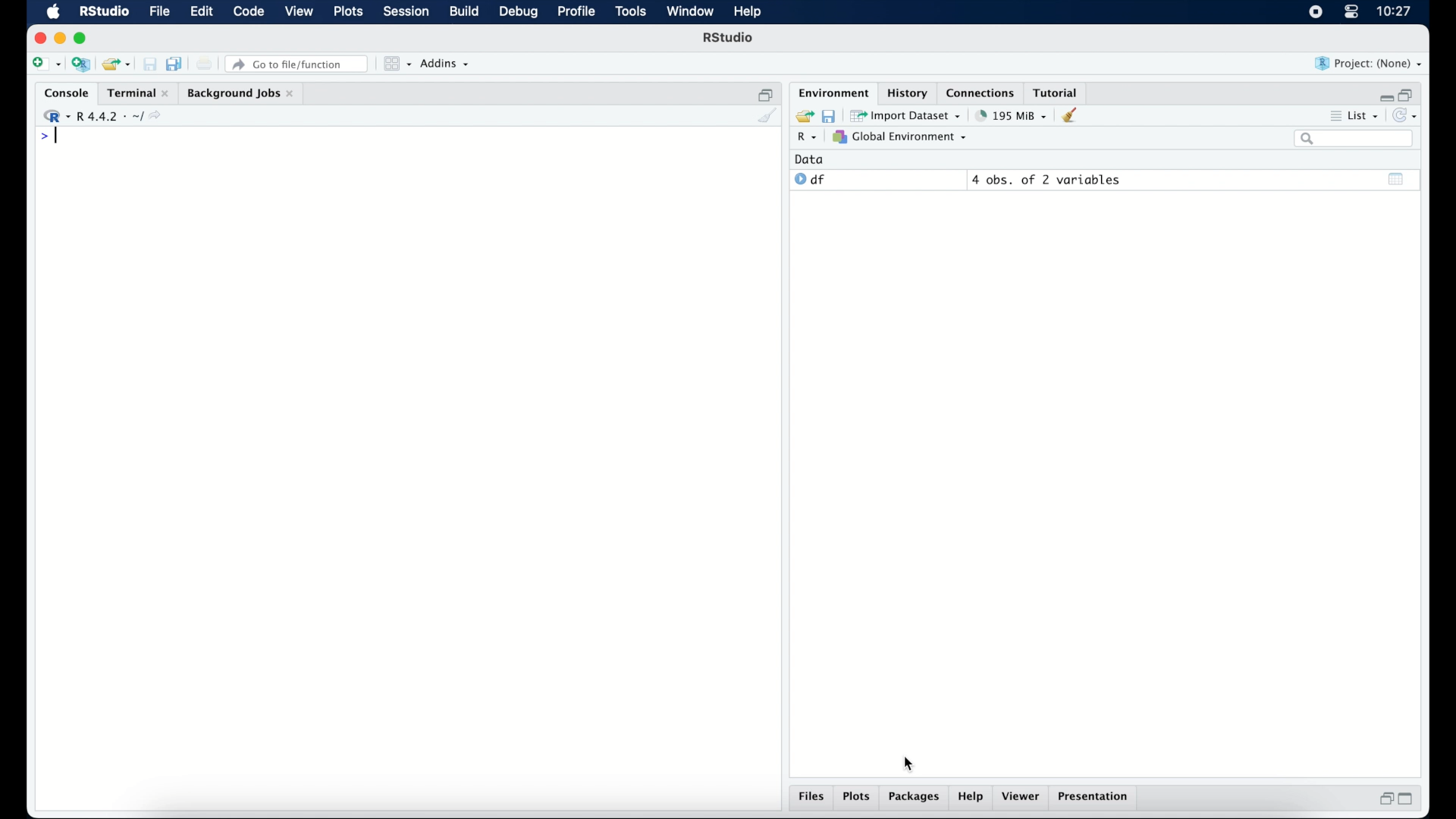 This screenshot has width=1456, height=819. Describe the element at coordinates (831, 92) in the screenshot. I see `environment` at that location.